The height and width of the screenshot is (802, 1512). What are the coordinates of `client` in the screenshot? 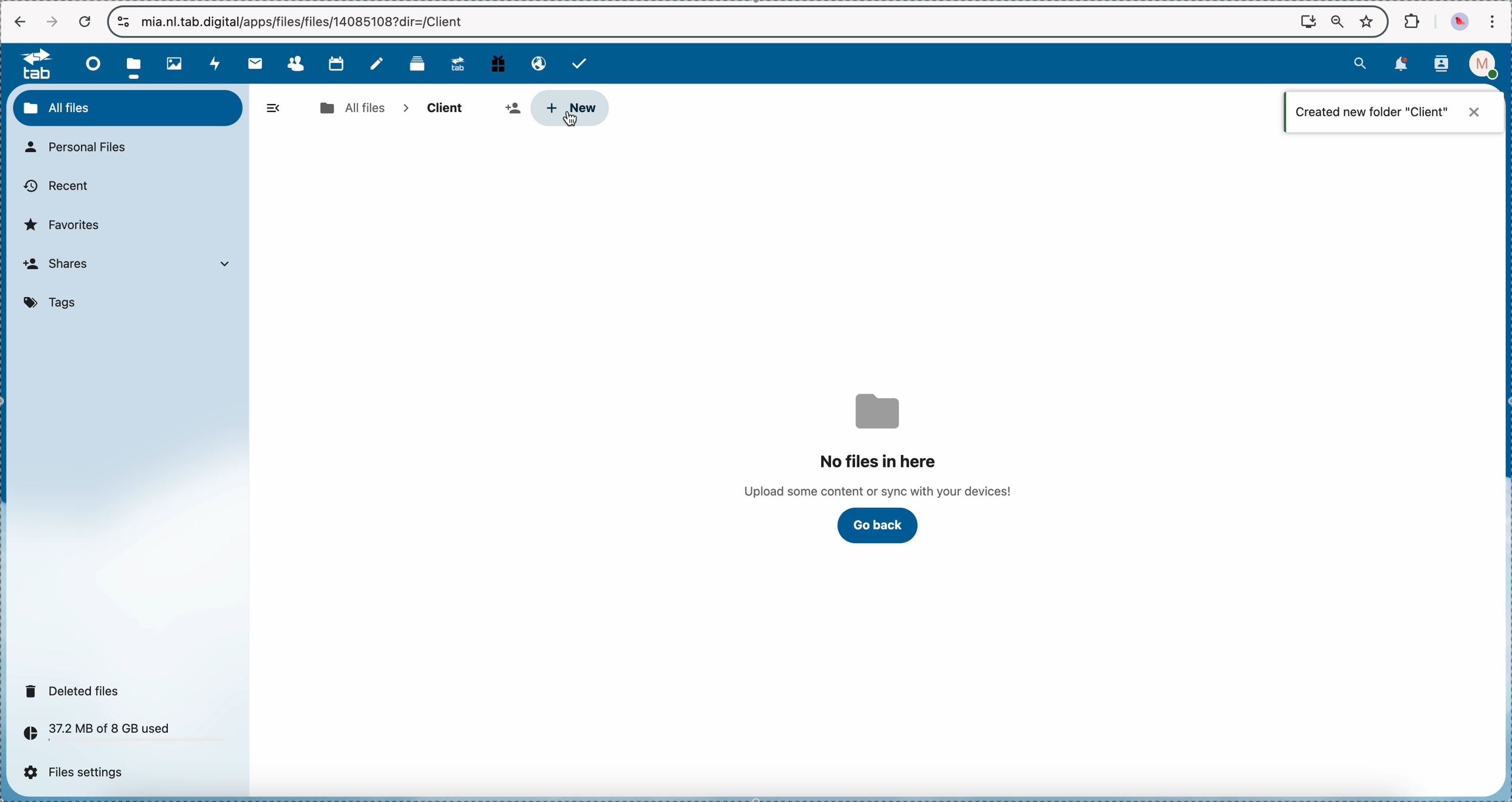 It's located at (443, 109).